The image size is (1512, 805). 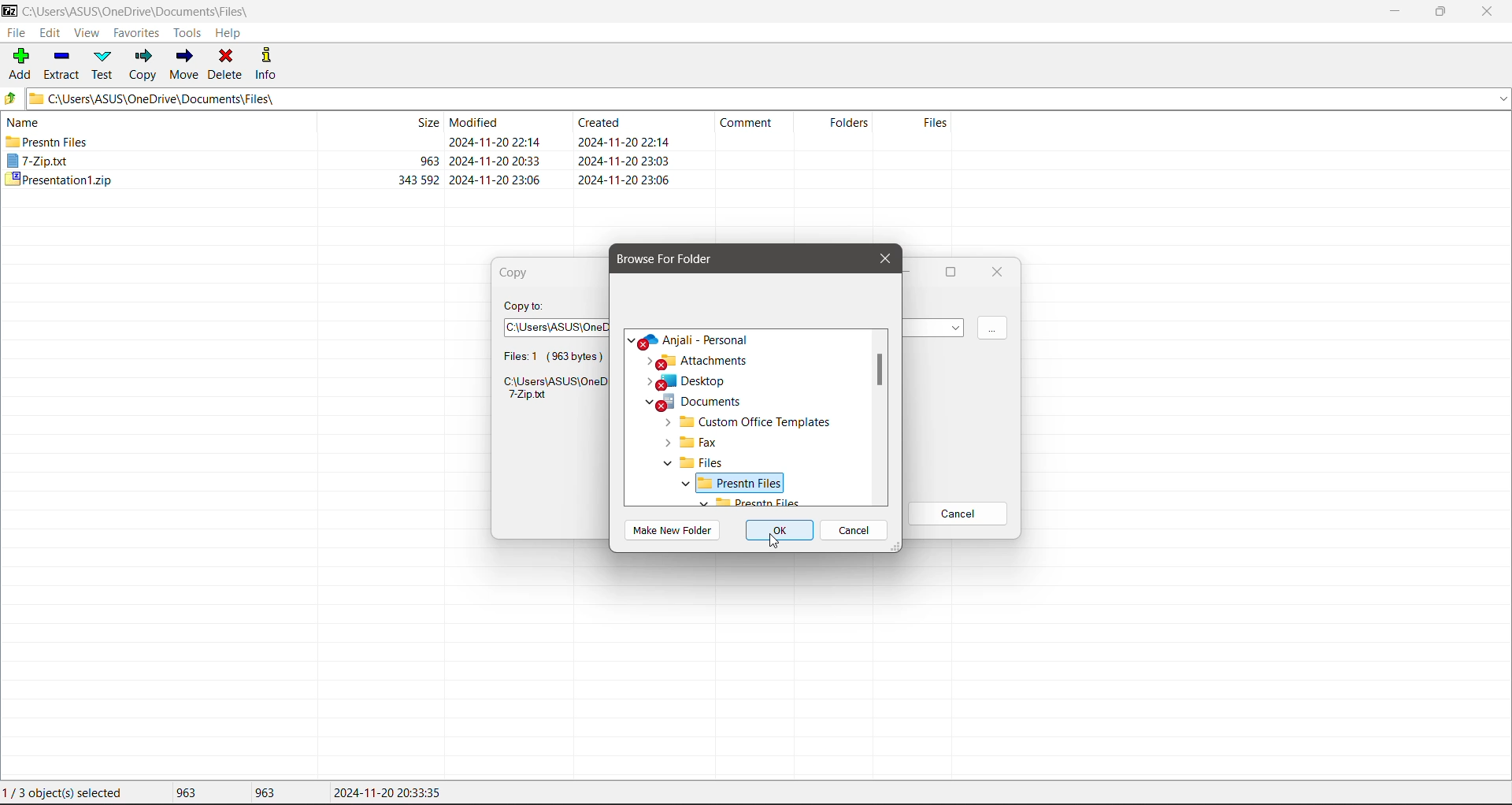 What do you see at coordinates (1393, 11) in the screenshot?
I see `Minimize` at bounding box center [1393, 11].